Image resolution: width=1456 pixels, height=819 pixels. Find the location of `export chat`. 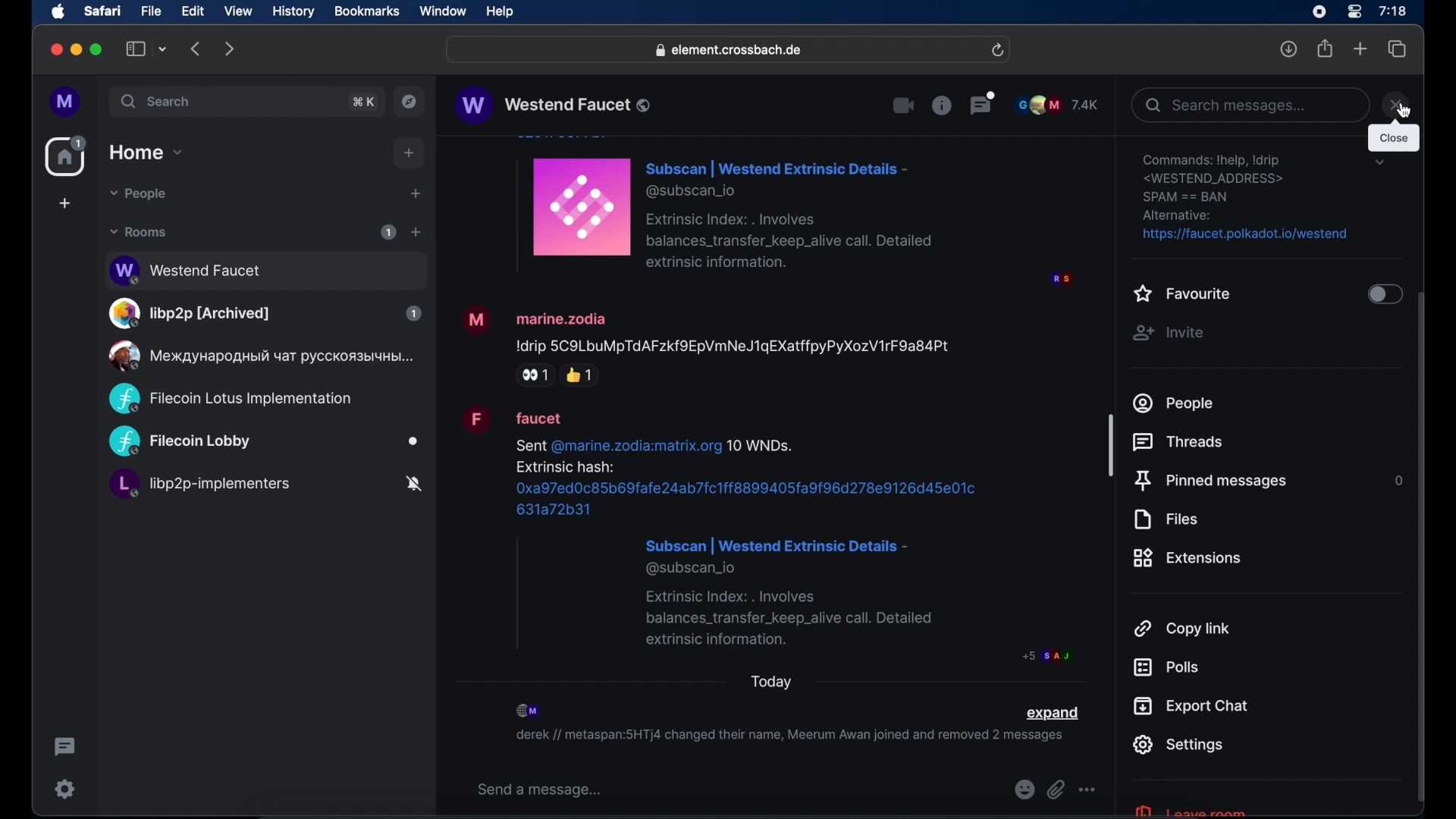

export chat is located at coordinates (1191, 706).